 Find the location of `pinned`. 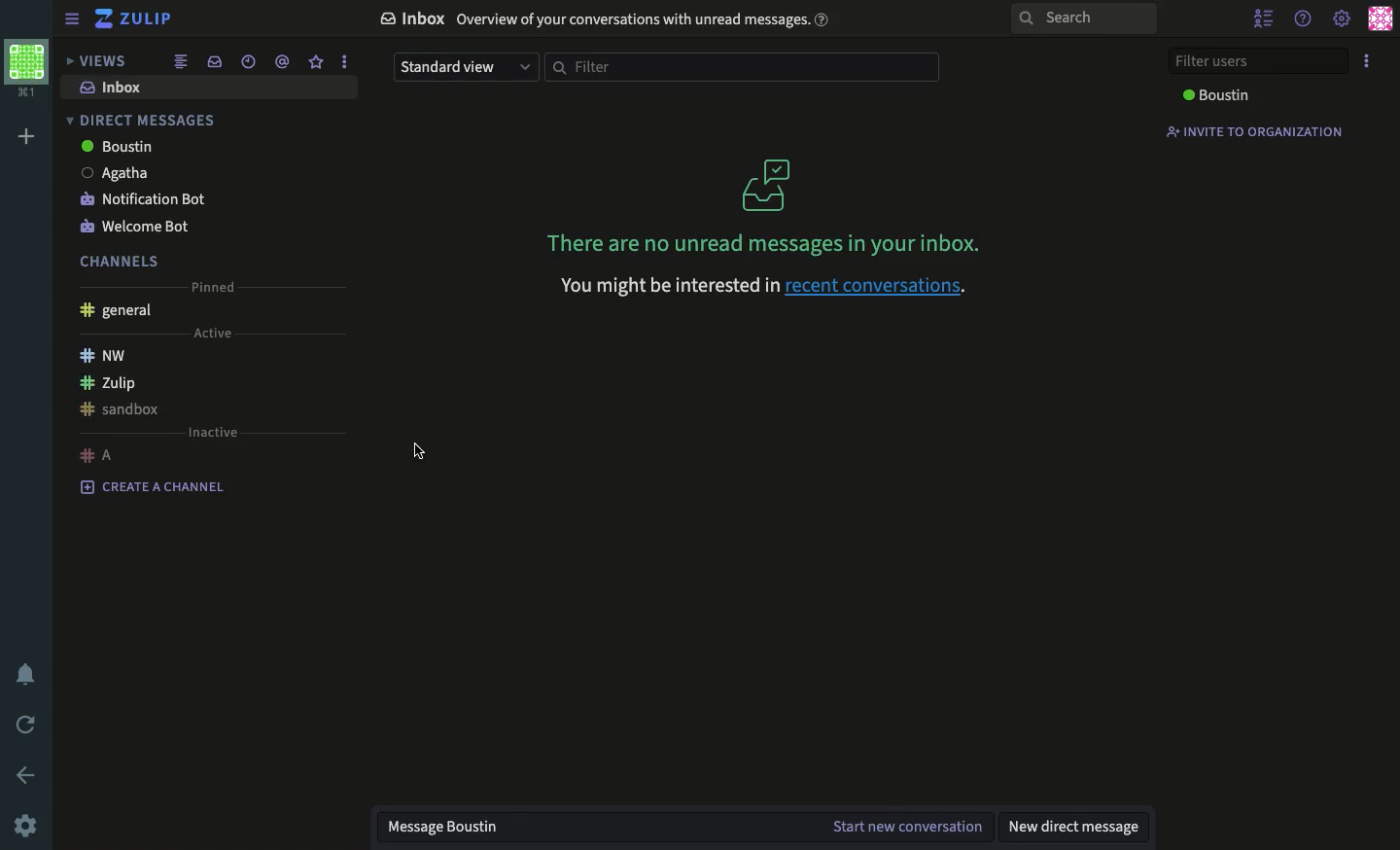

pinned is located at coordinates (215, 287).